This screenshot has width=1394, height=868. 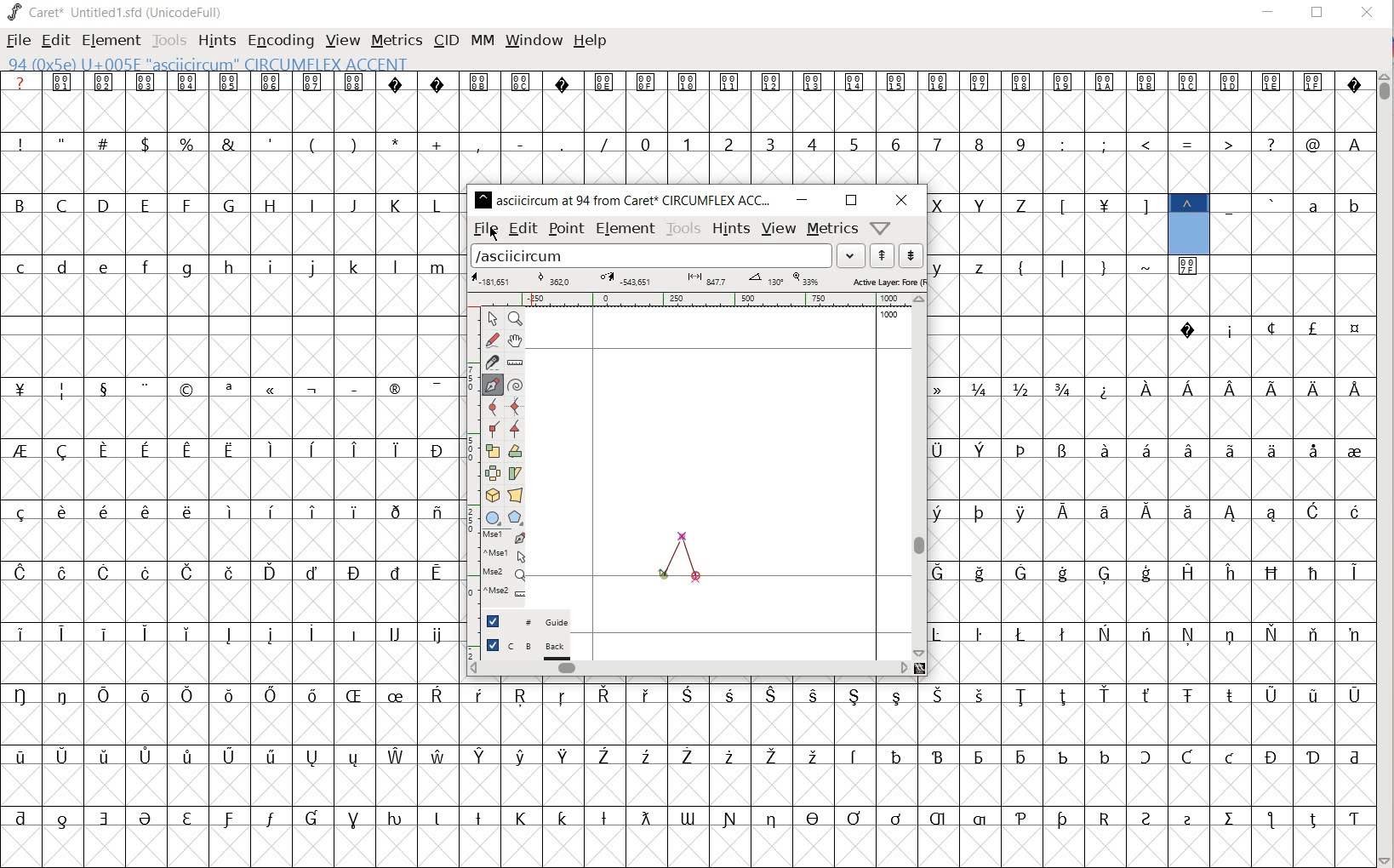 I want to click on show the previous word on the list, so click(x=910, y=254).